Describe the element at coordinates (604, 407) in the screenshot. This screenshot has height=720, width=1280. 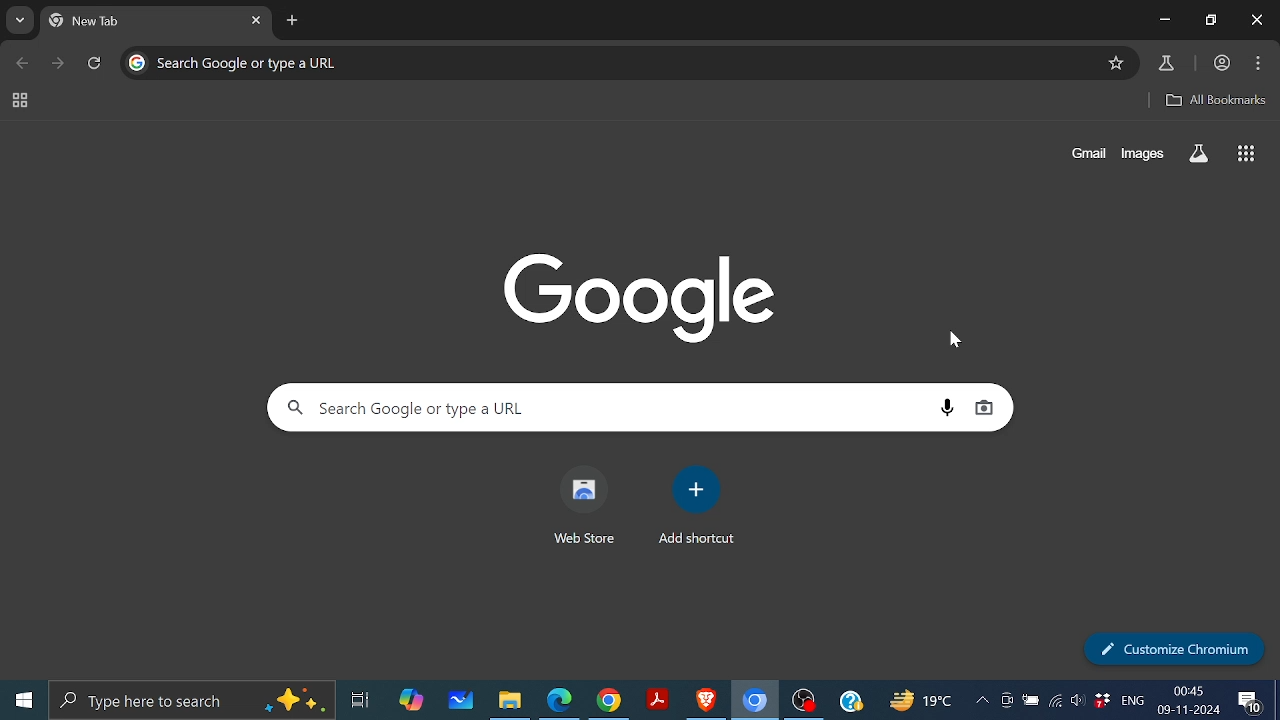
I see `Search or type  a URL` at that location.